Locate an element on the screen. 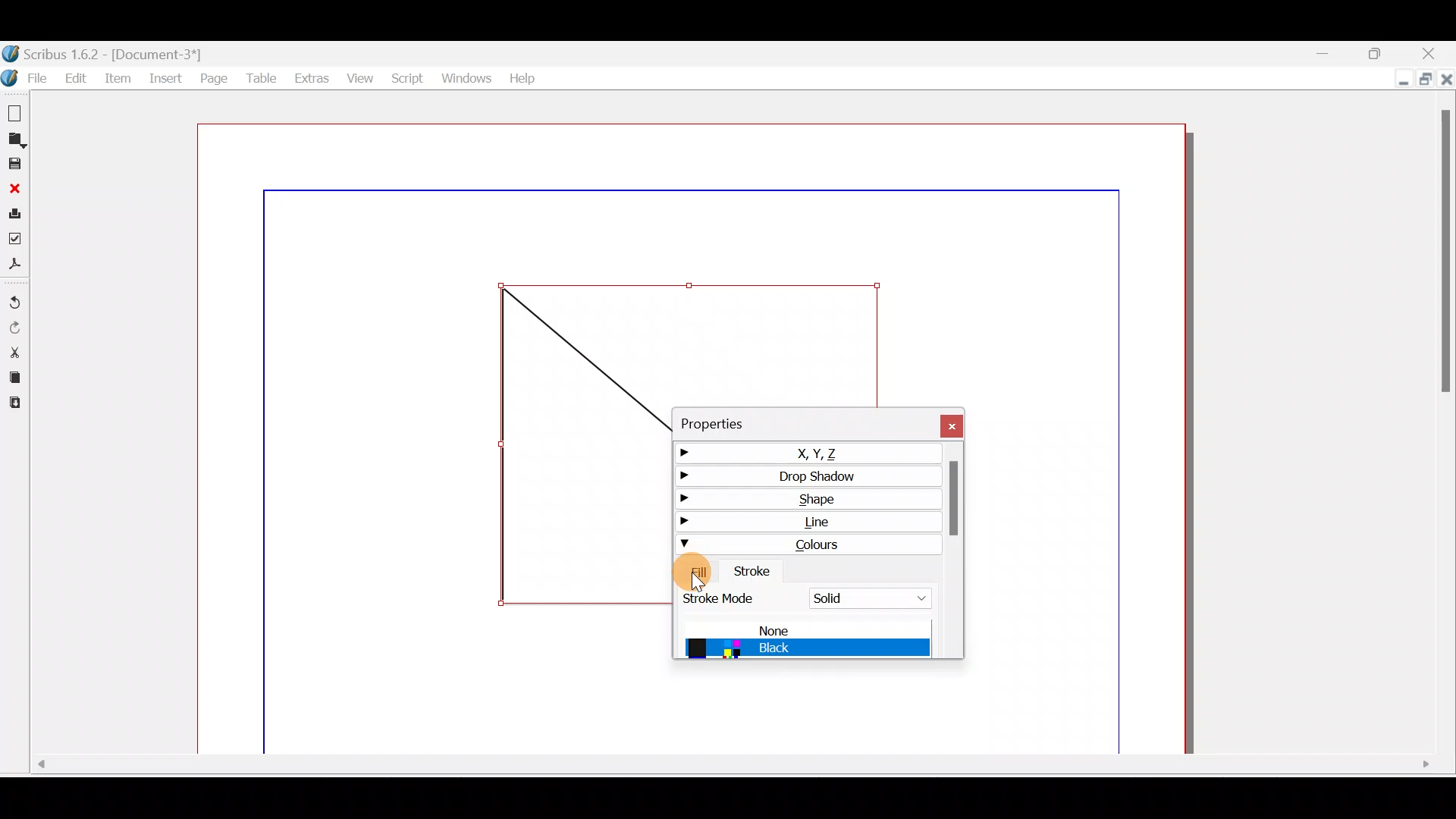 The height and width of the screenshot is (819, 1456). Close is located at coordinates (13, 187).